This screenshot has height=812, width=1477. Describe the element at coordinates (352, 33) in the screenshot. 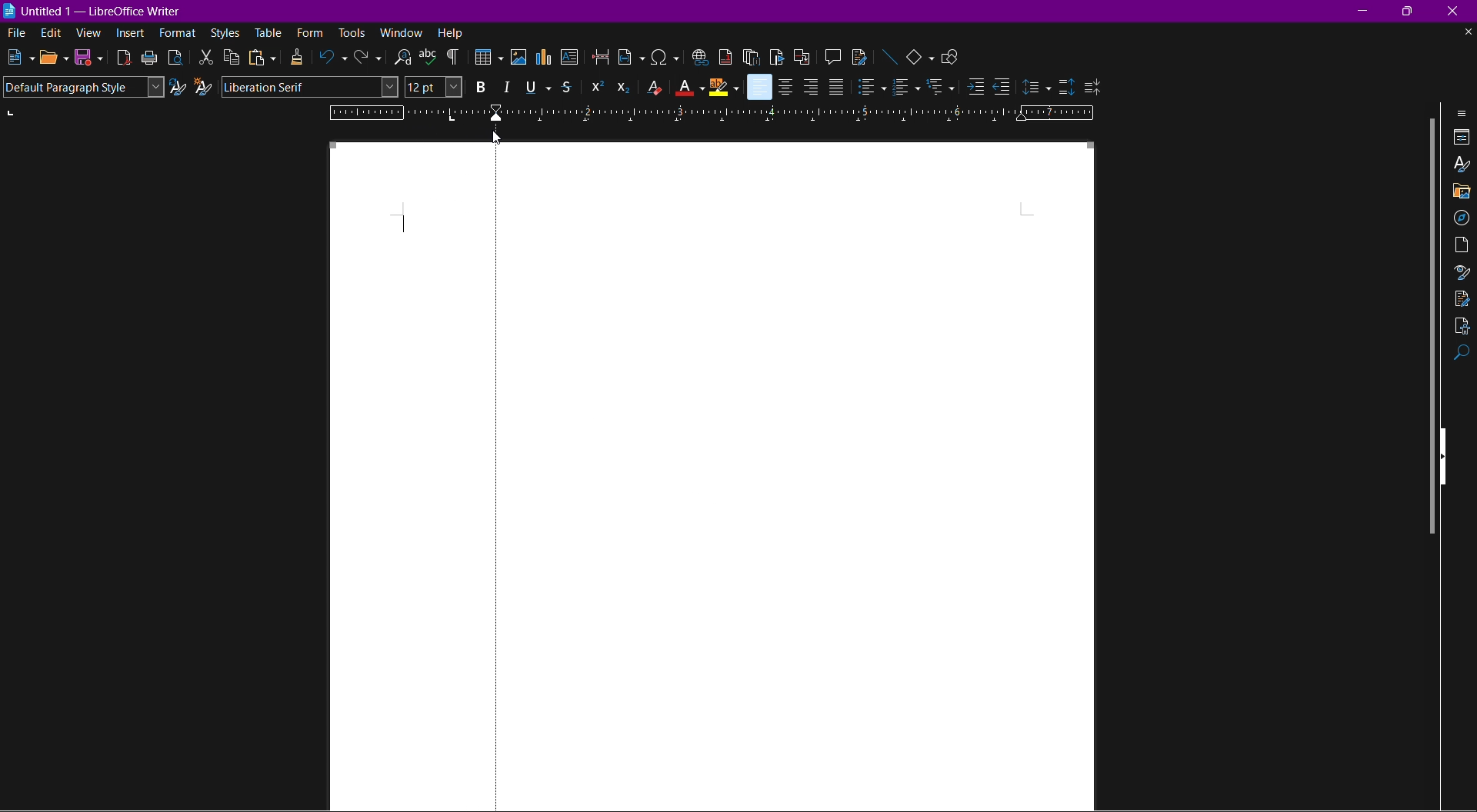

I see `tools` at that location.